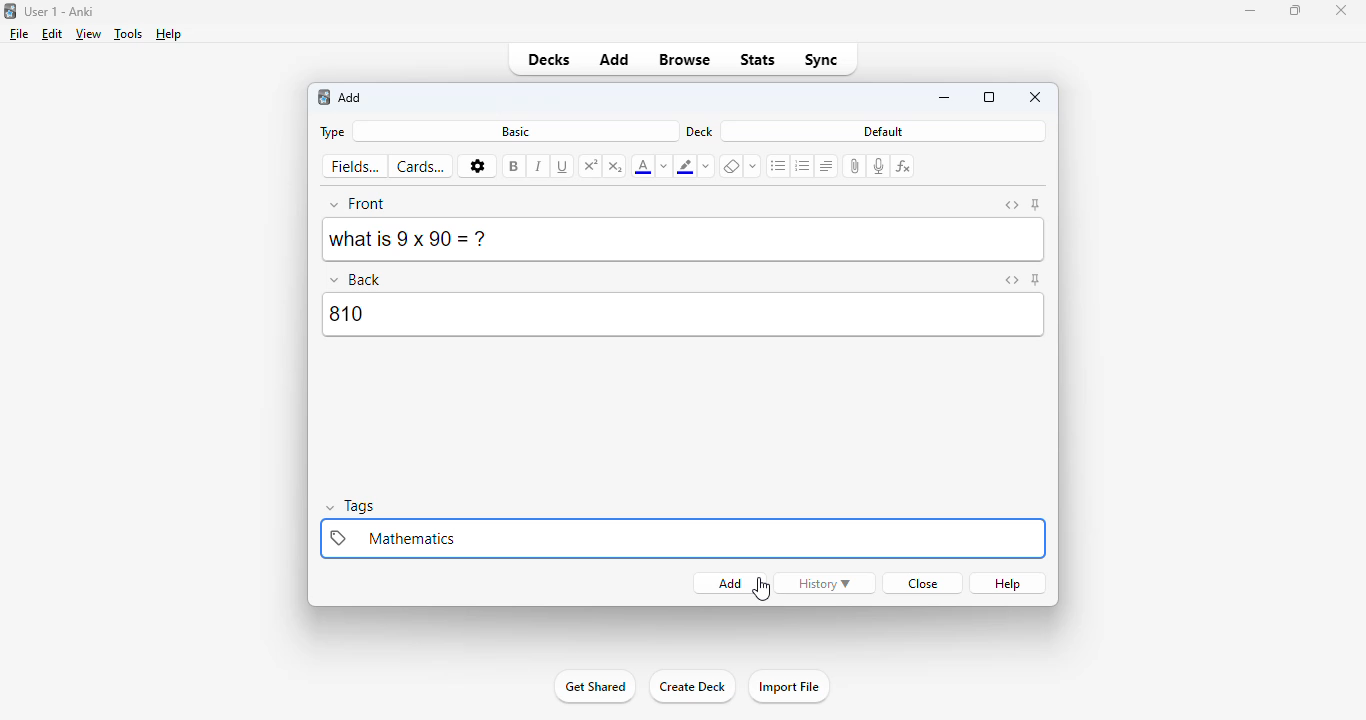  I want to click on create deck, so click(692, 687).